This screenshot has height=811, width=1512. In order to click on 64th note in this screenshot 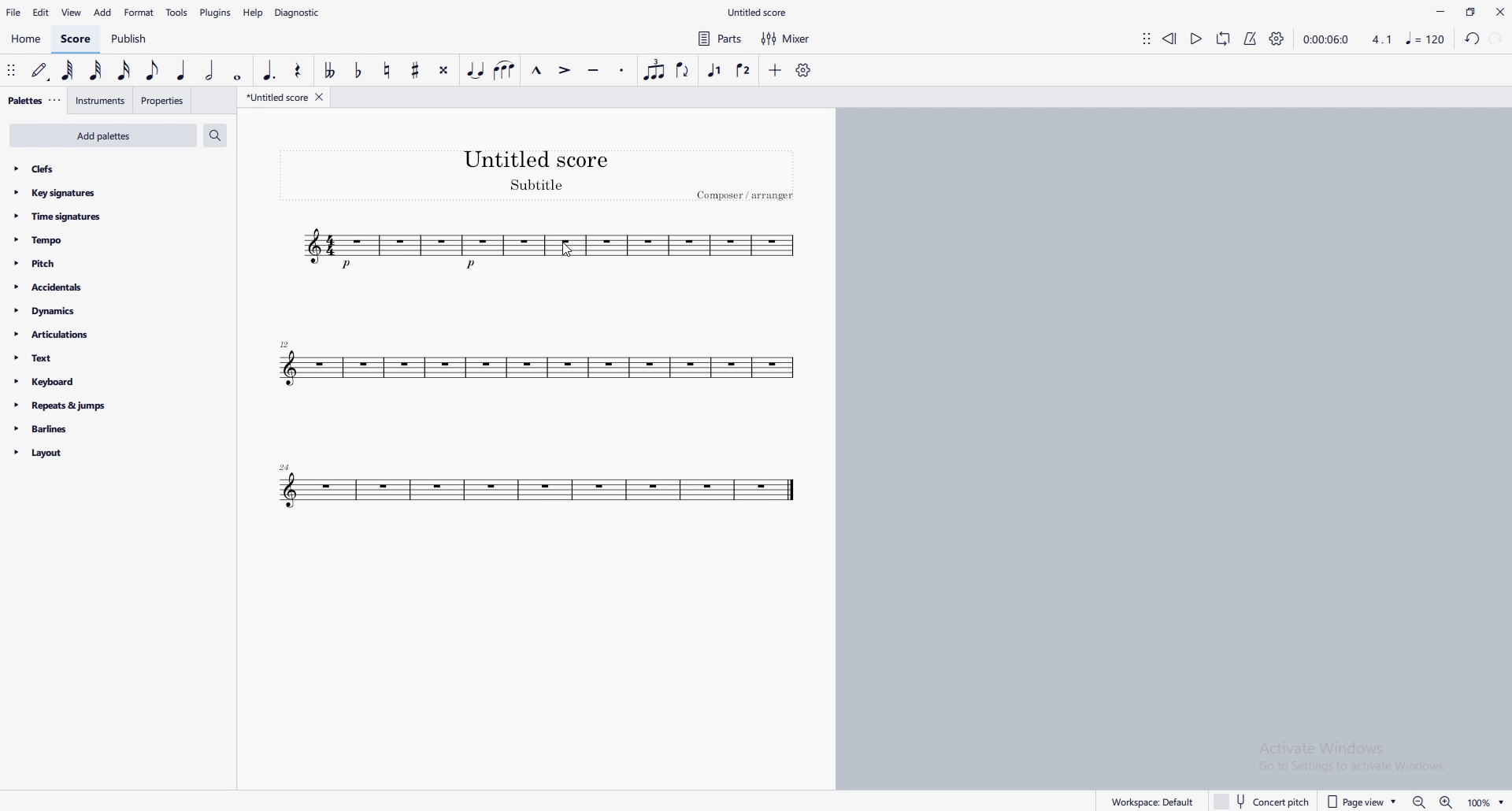, I will do `click(68, 71)`.